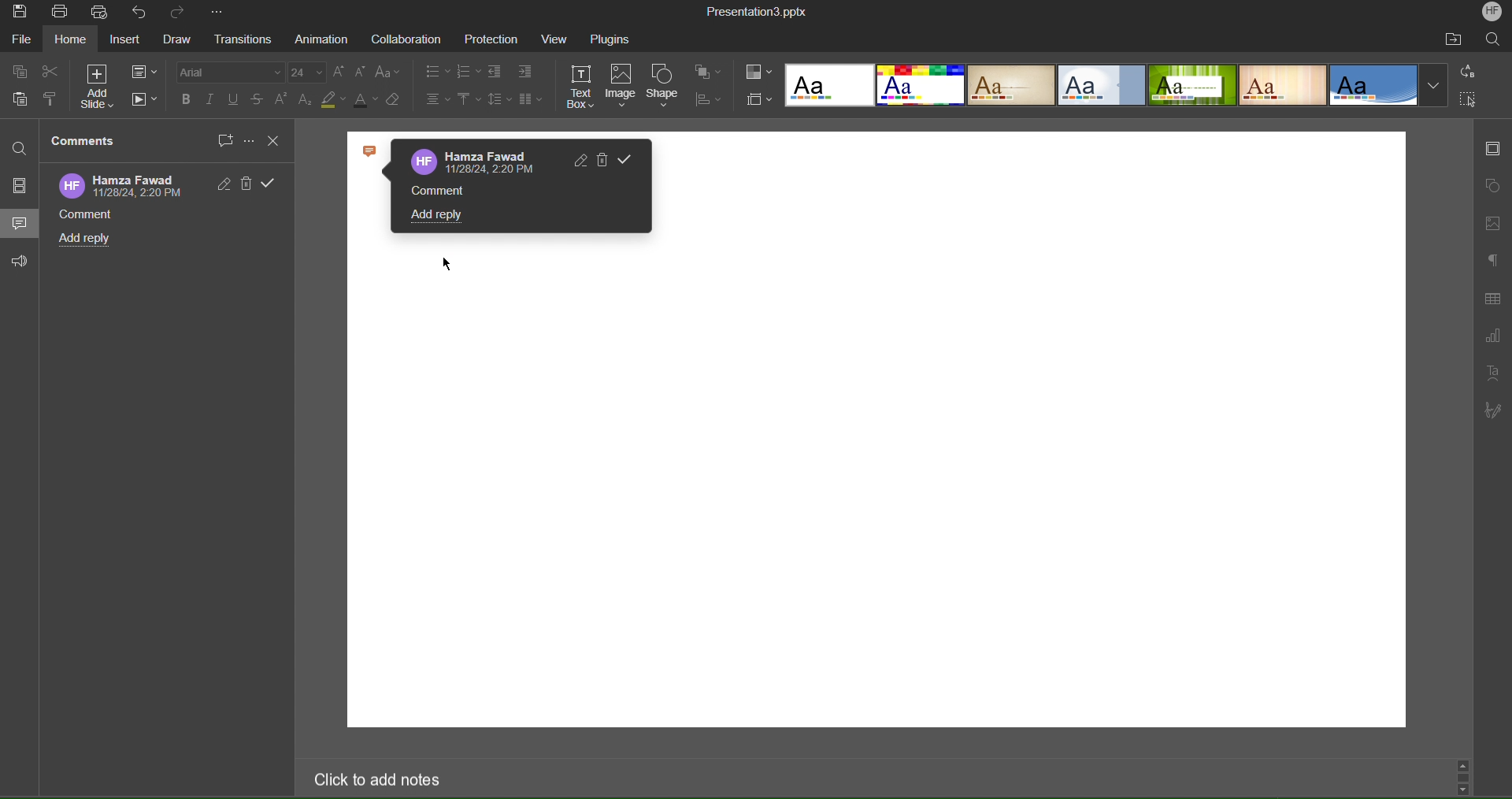  Describe the element at coordinates (493, 40) in the screenshot. I see `Protection` at that location.